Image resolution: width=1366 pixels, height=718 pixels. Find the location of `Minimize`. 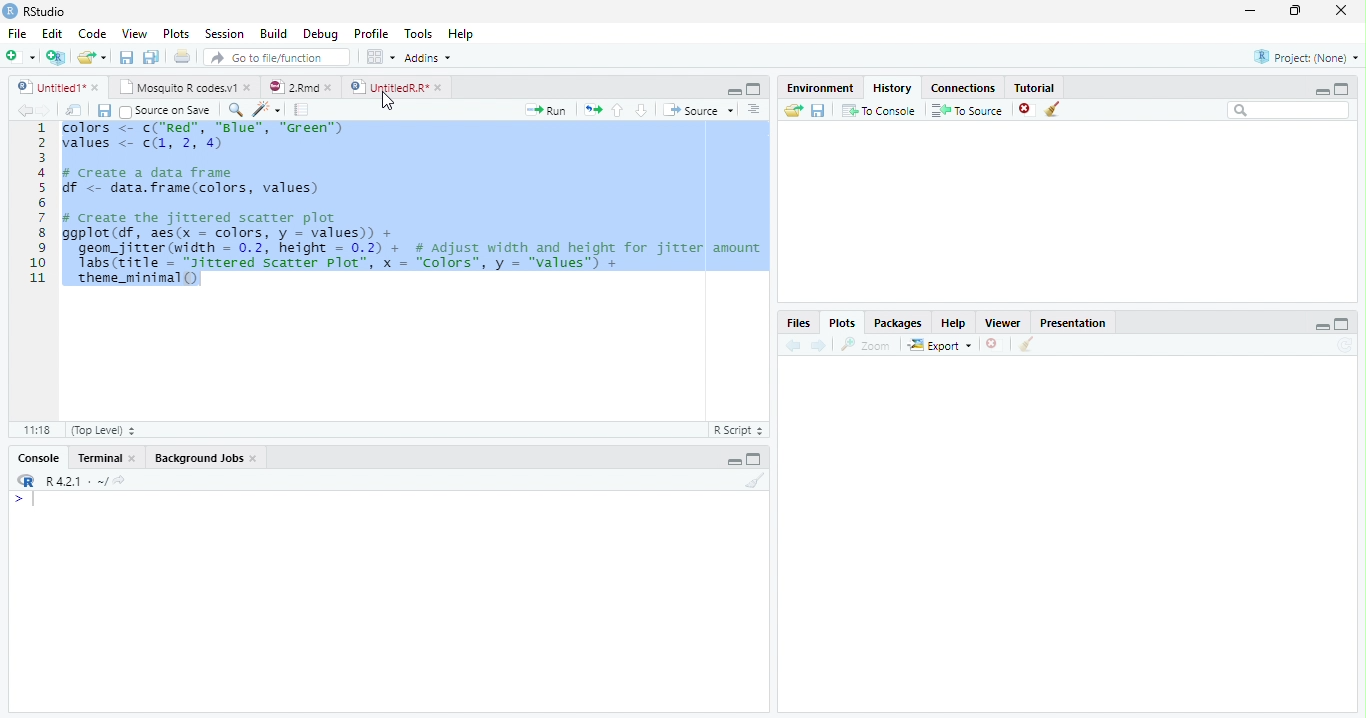

Minimize is located at coordinates (1321, 326).